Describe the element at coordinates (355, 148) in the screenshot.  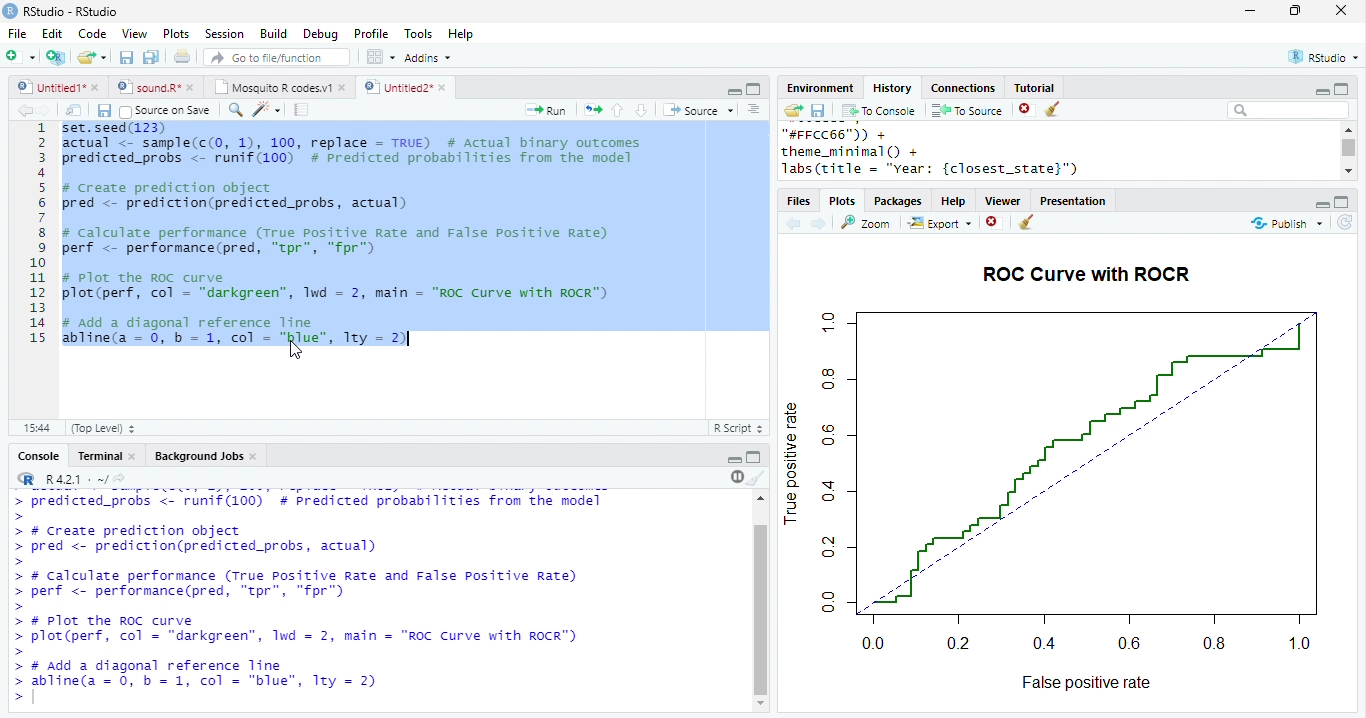
I see `set.seed(123) actual <- sample(c(0, 1), 100, replace = TRUE) # Actual binary outcomespredicted probs < runif(100) # Predicted probabilities from the model` at that location.